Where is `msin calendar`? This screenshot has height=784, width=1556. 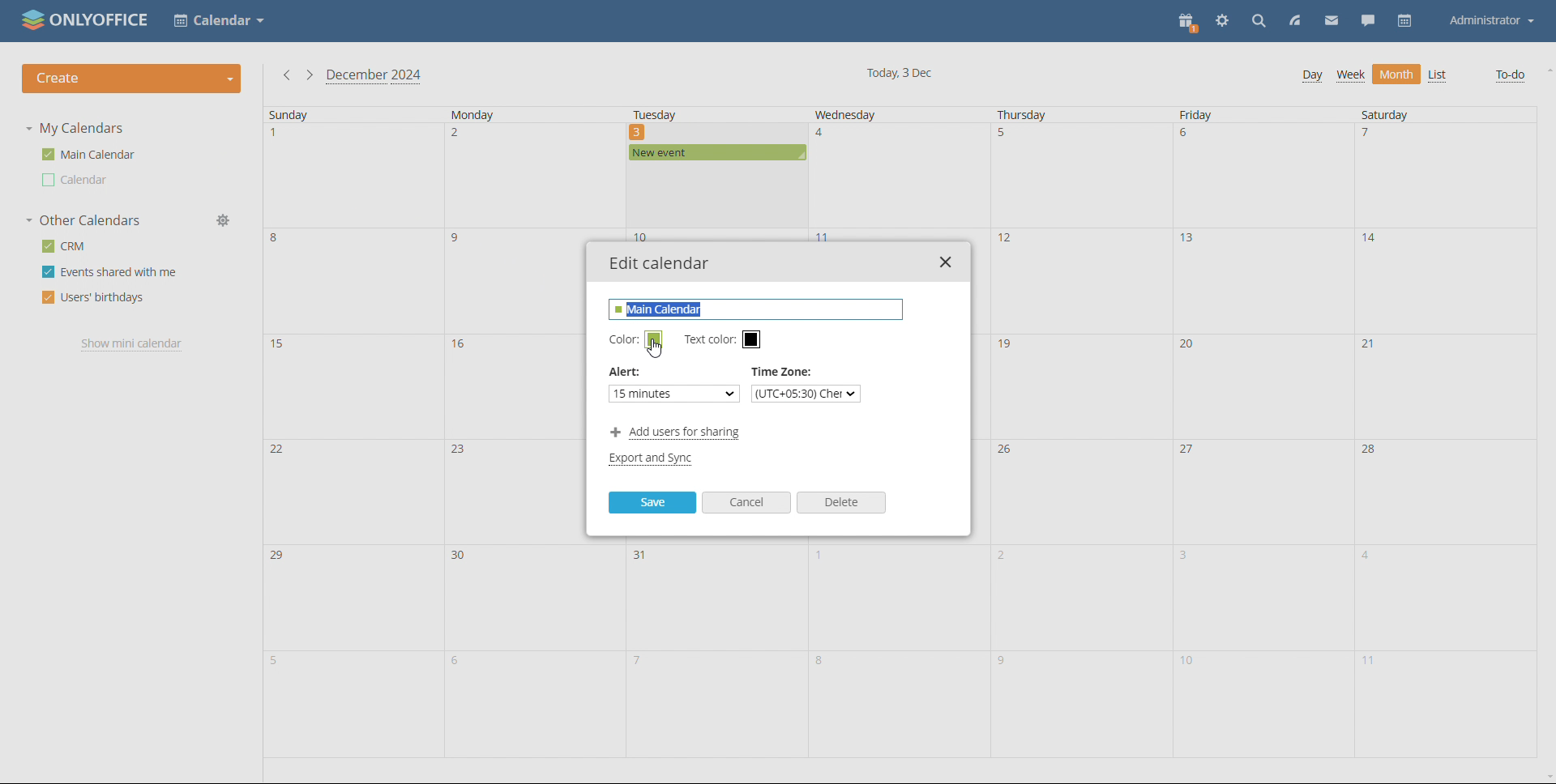
msin calendar is located at coordinates (88, 155).